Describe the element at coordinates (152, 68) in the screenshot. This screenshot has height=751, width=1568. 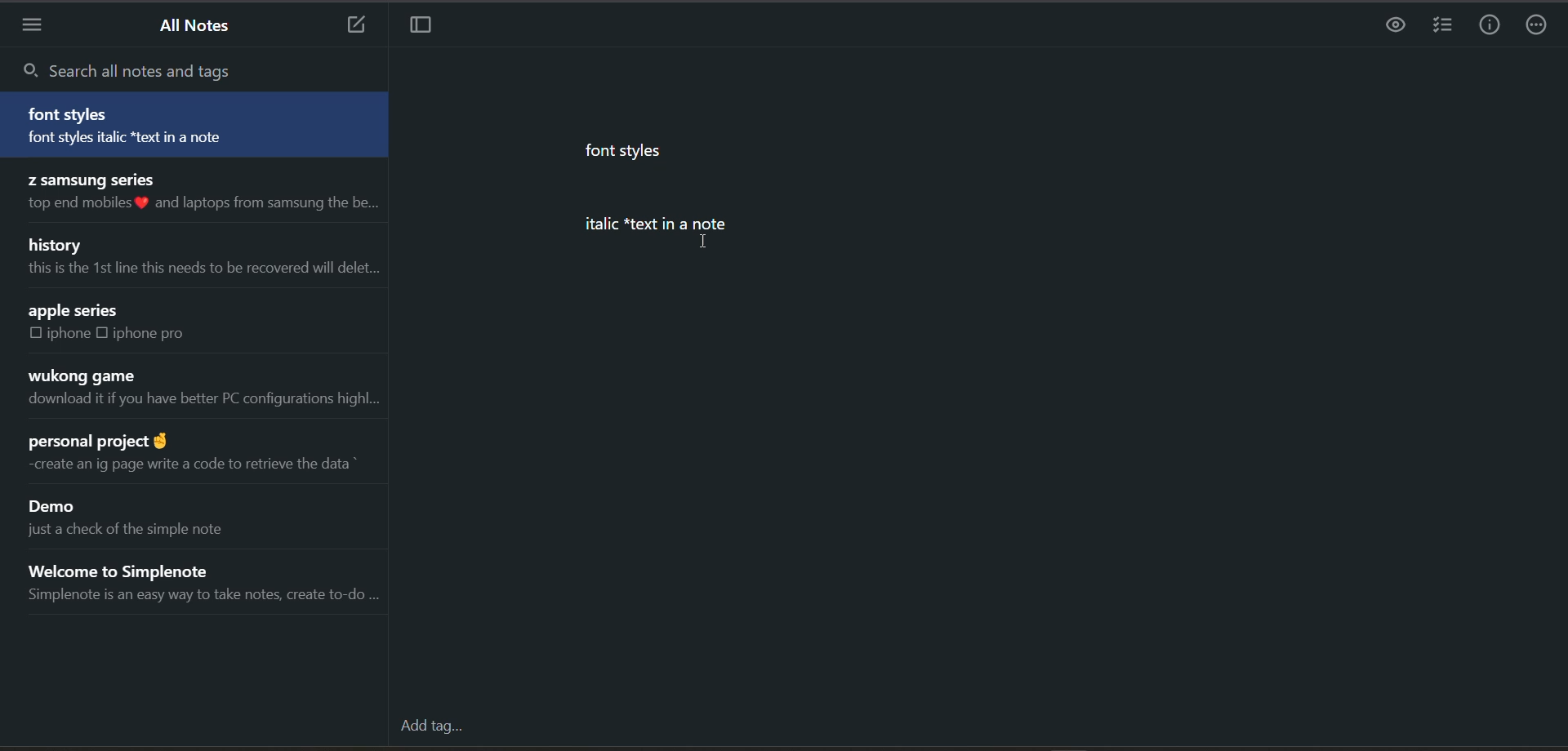
I see `search` at that location.